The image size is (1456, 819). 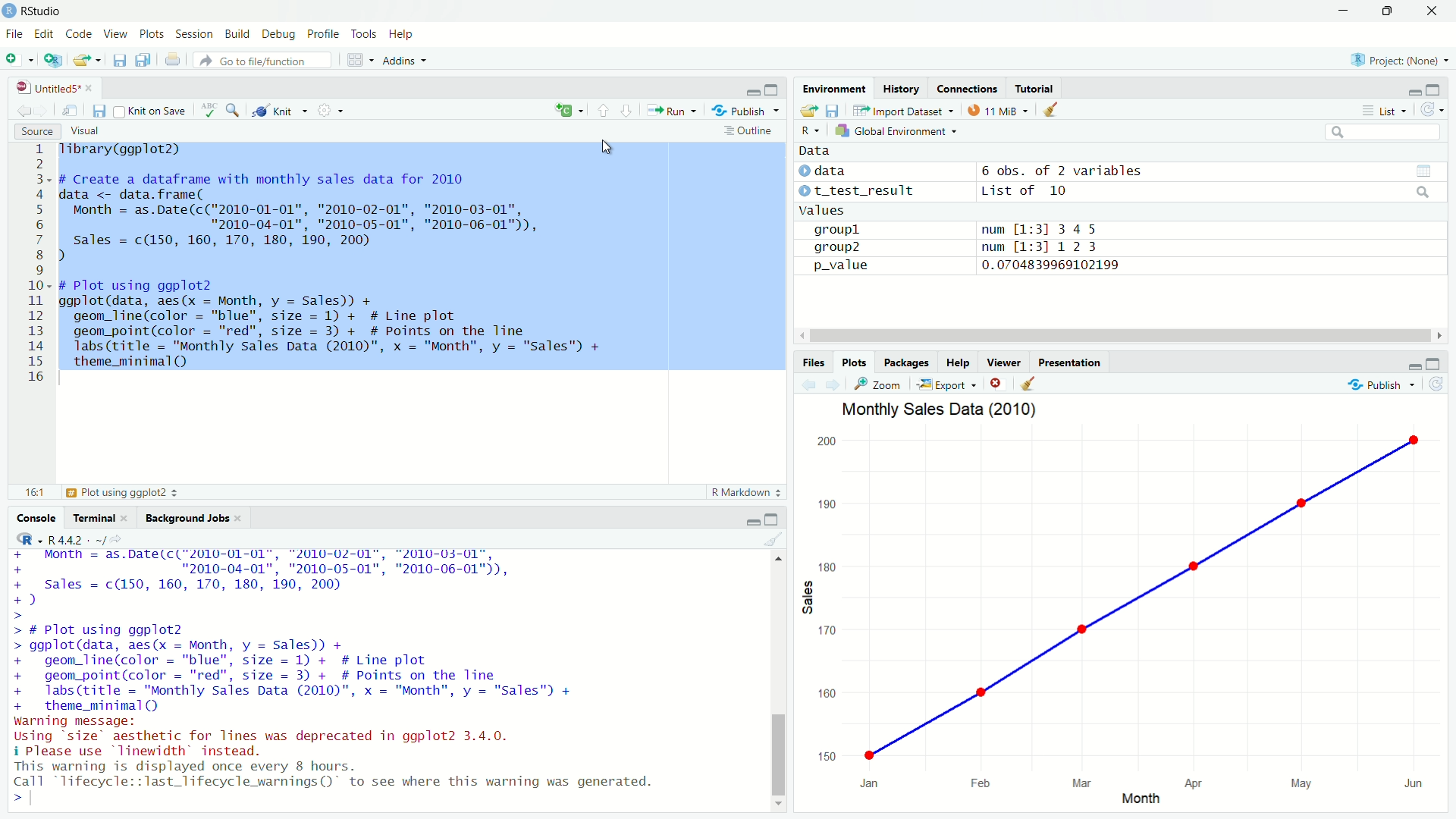 I want to click on les Plots, so click(x=853, y=362).